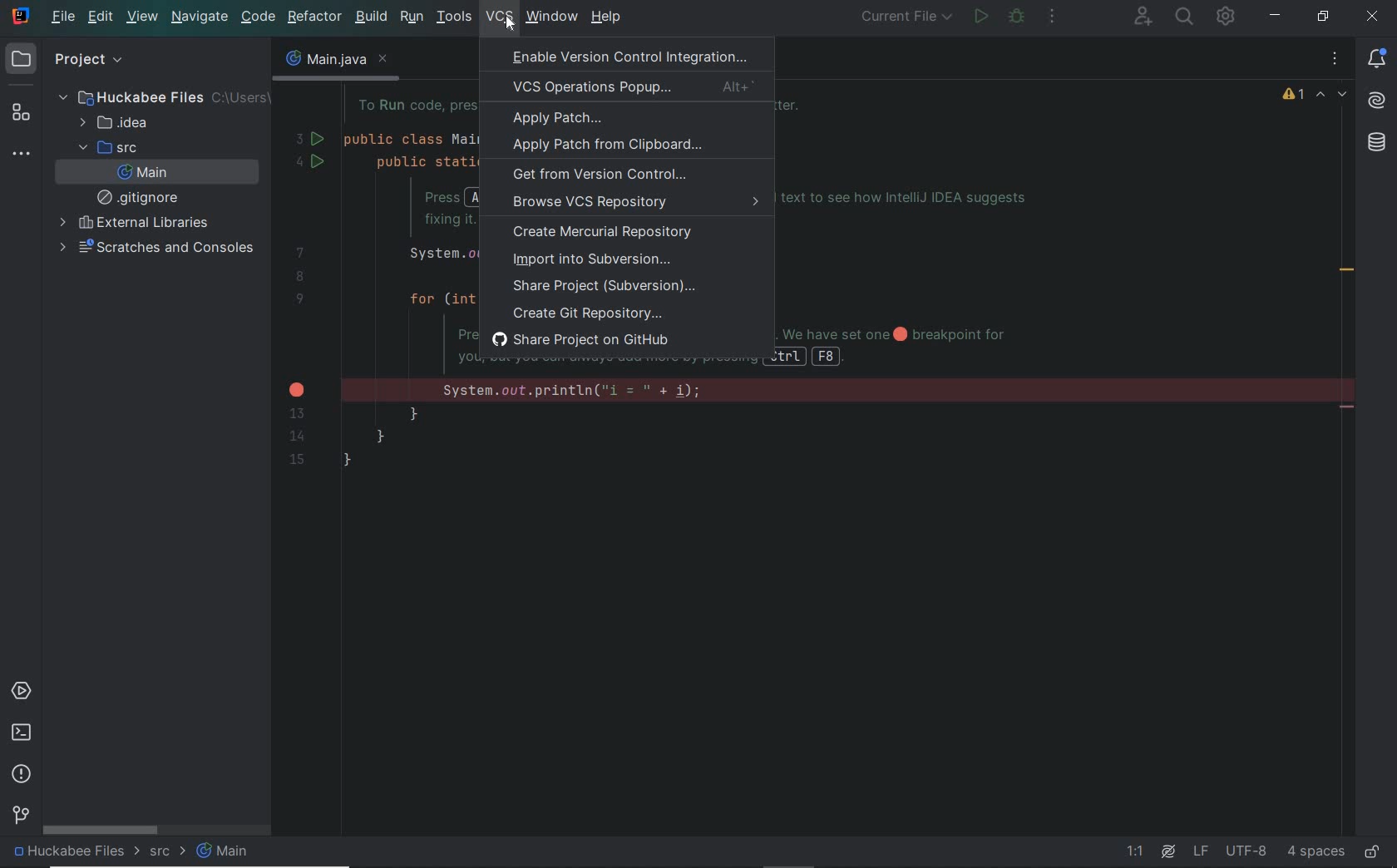 The width and height of the screenshot is (1397, 868). I want to click on share project on Github, so click(591, 341).